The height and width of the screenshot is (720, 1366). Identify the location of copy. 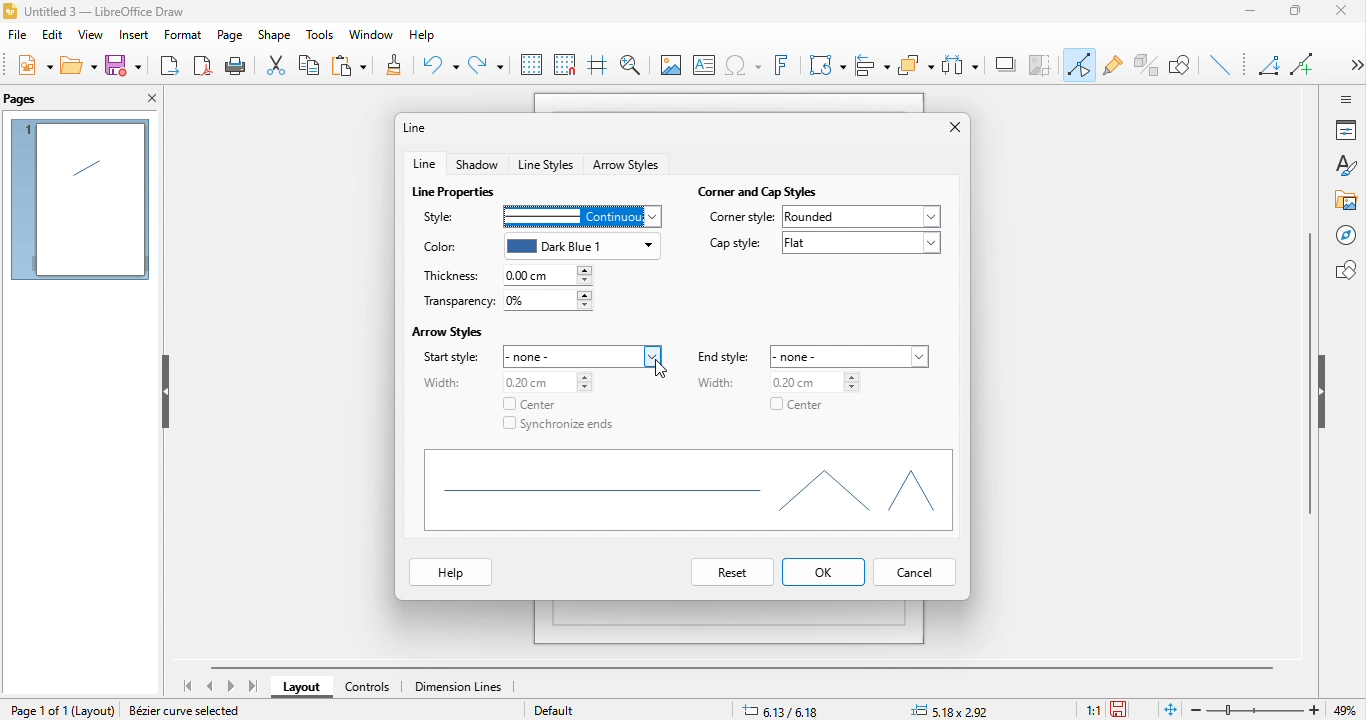
(314, 64).